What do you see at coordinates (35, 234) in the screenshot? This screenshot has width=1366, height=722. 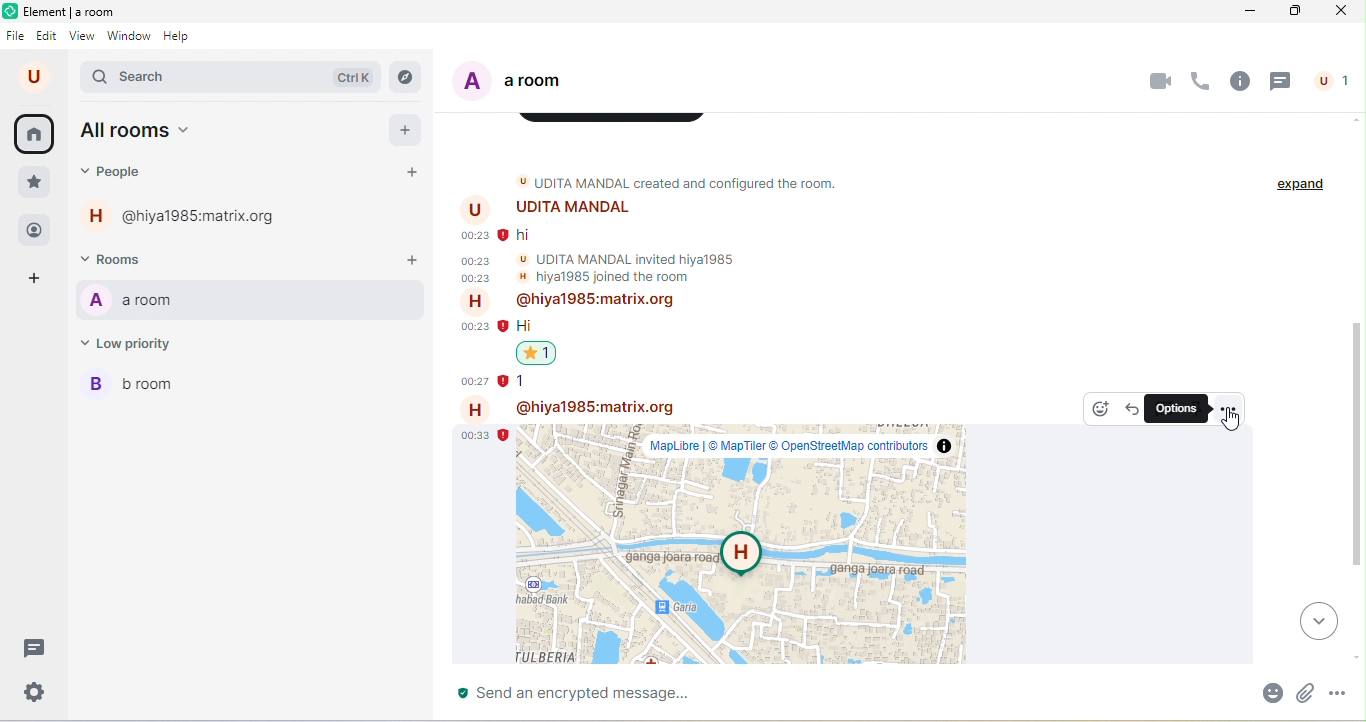 I see `people` at bounding box center [35, 234].